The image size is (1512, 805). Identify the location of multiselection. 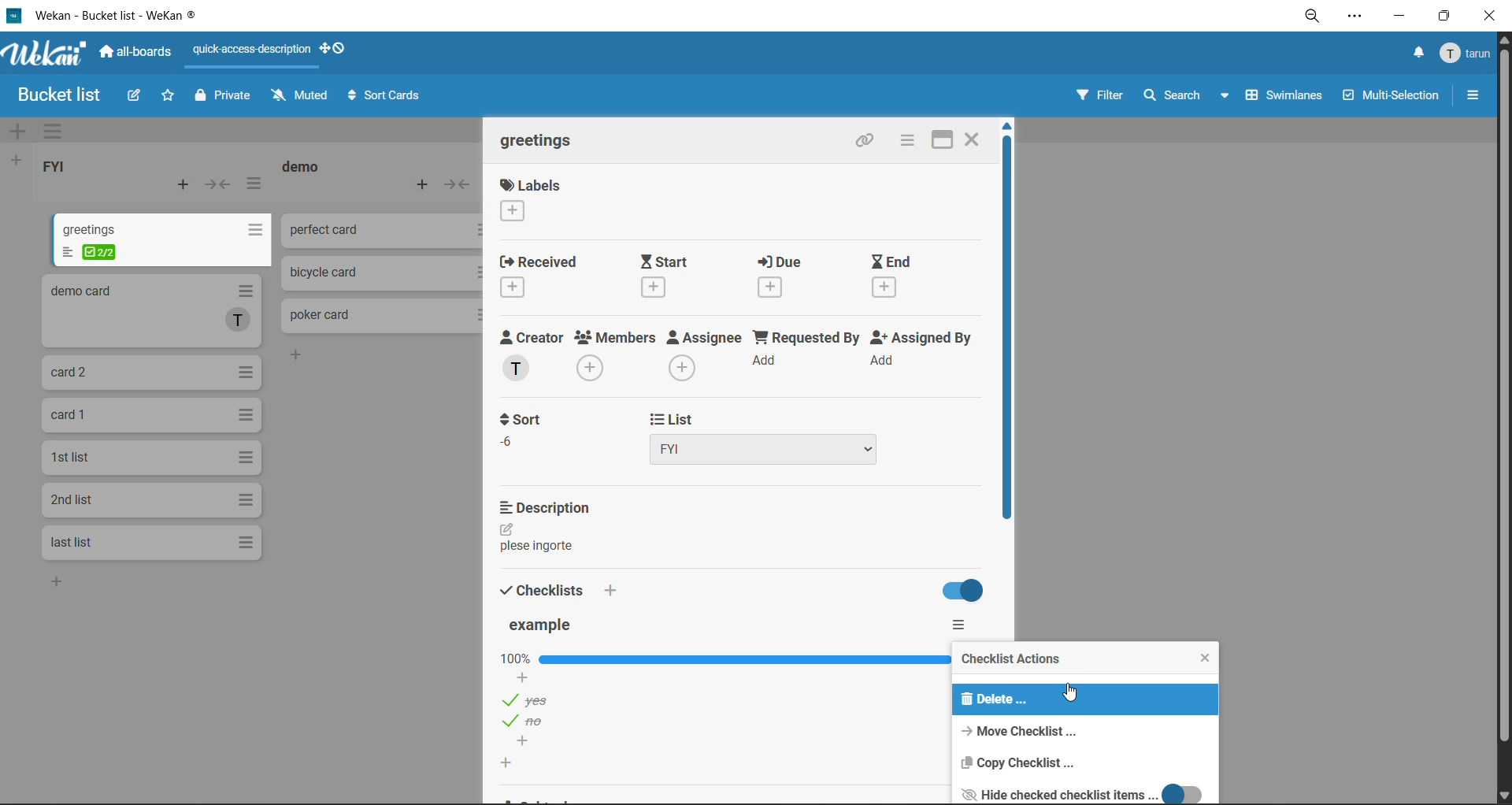
(1394, 94).